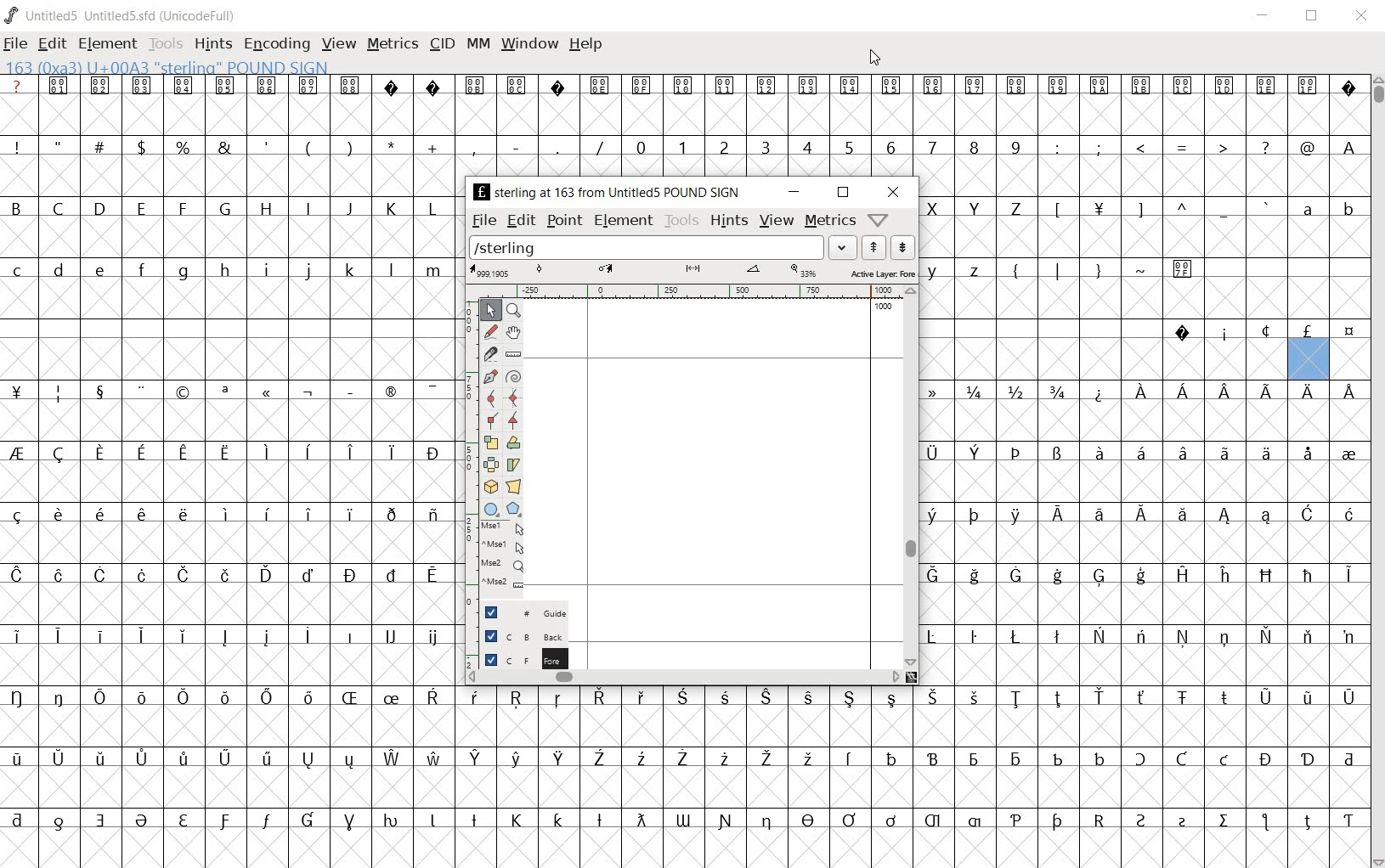 The image size is (1385, 868). What do you see at coordinates (184, 637) in the screenshot?
I see `Symbol` at bounding box center [184, 637].